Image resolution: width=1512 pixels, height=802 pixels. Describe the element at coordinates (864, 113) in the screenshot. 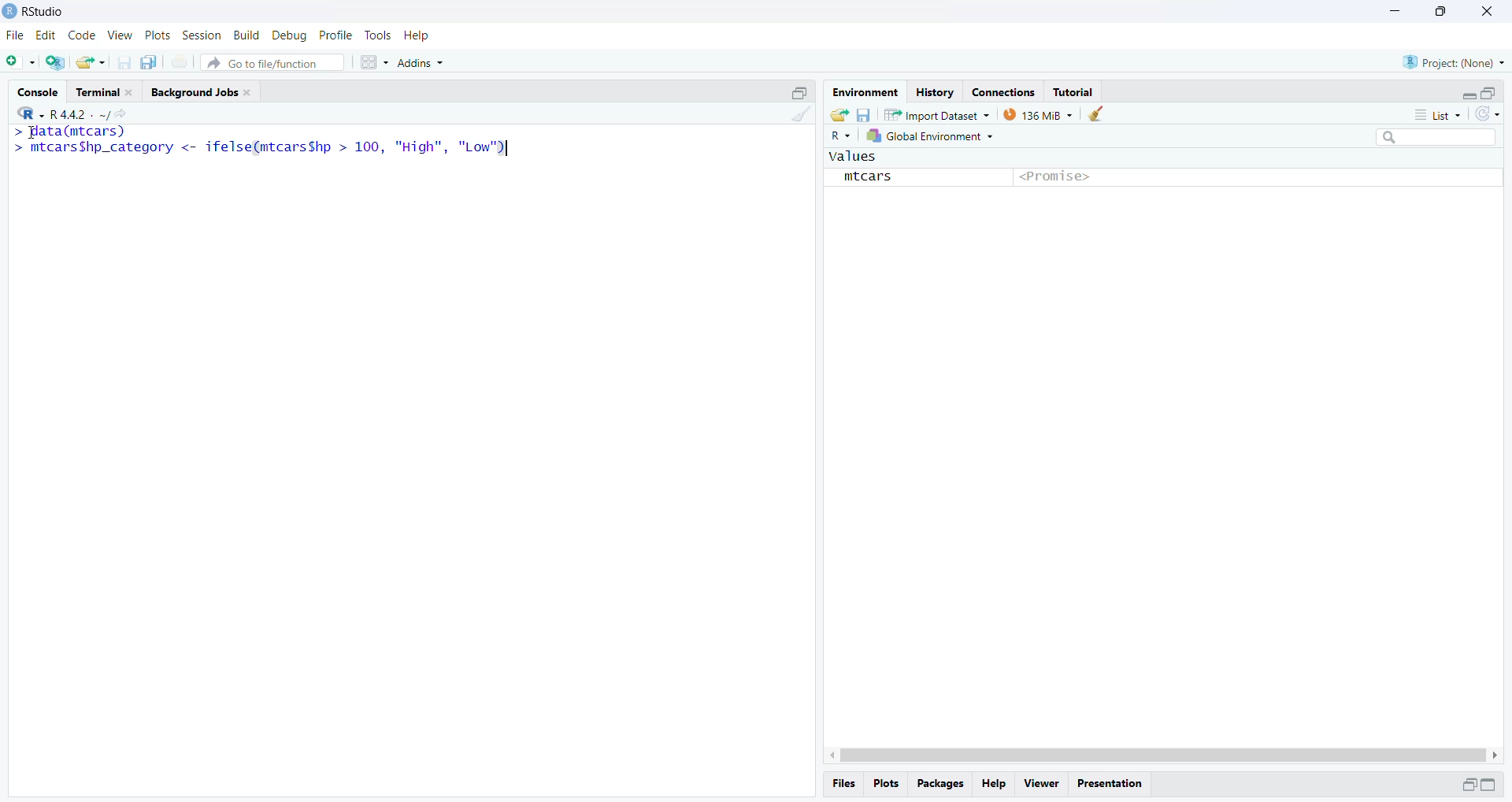

I see `Save workspace as` at that location.